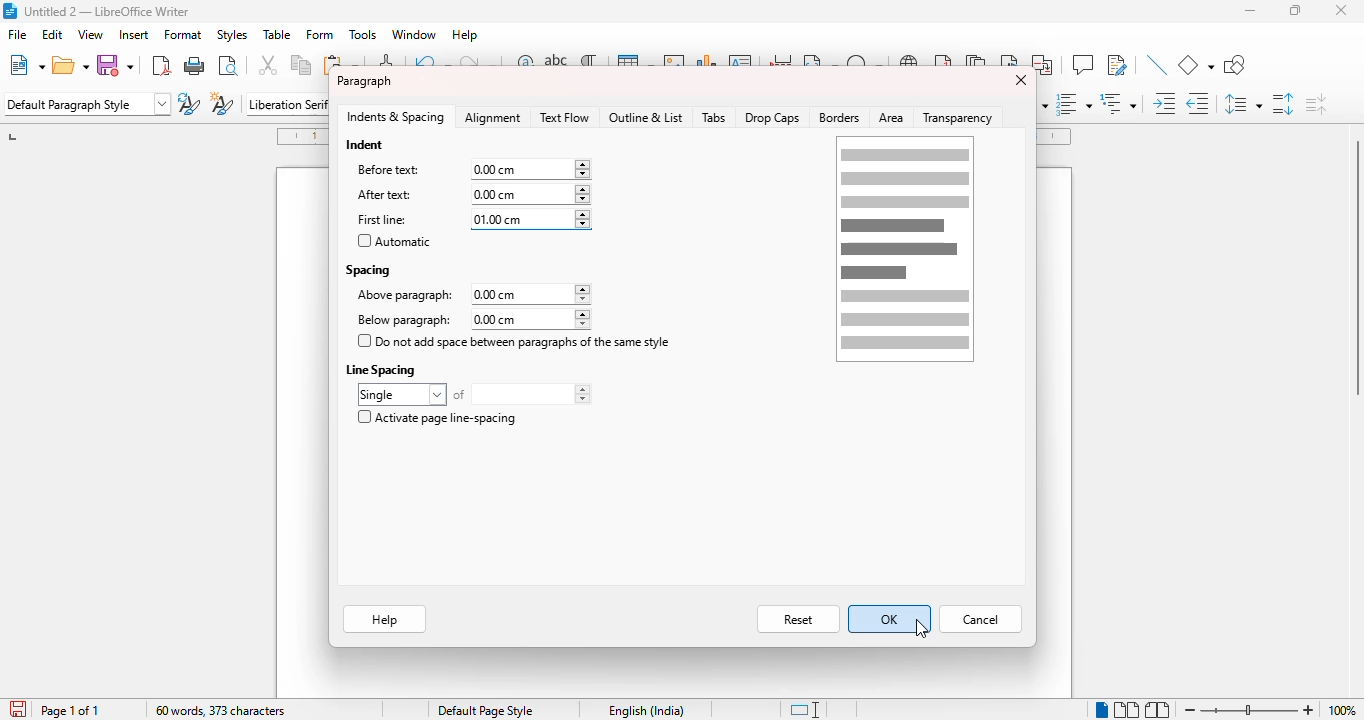 Image resolution: width=1364 pixels, height=720 pixels. I want to click on copy, so click(302, 65).